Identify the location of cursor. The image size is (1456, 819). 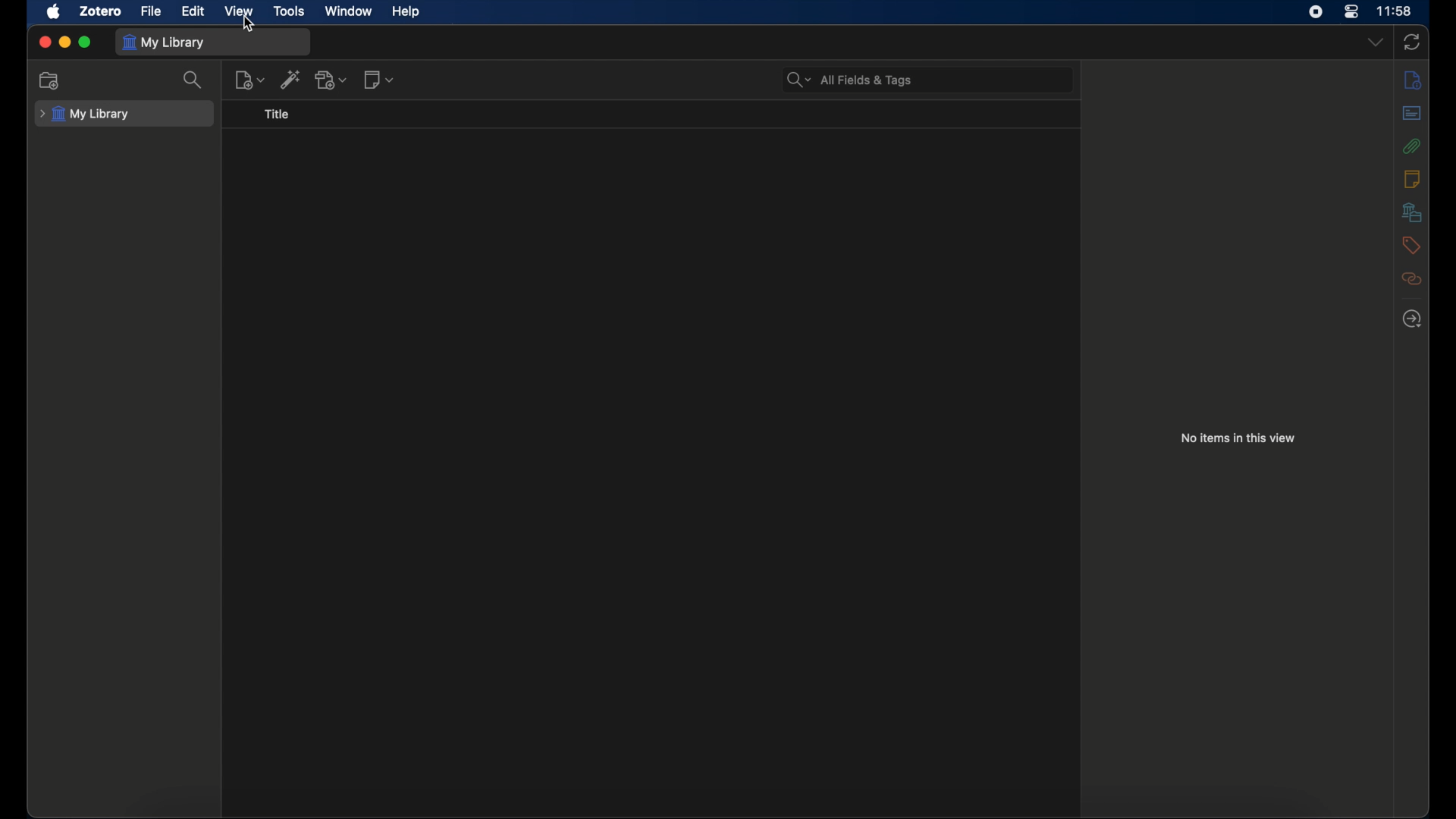
(249, 23).